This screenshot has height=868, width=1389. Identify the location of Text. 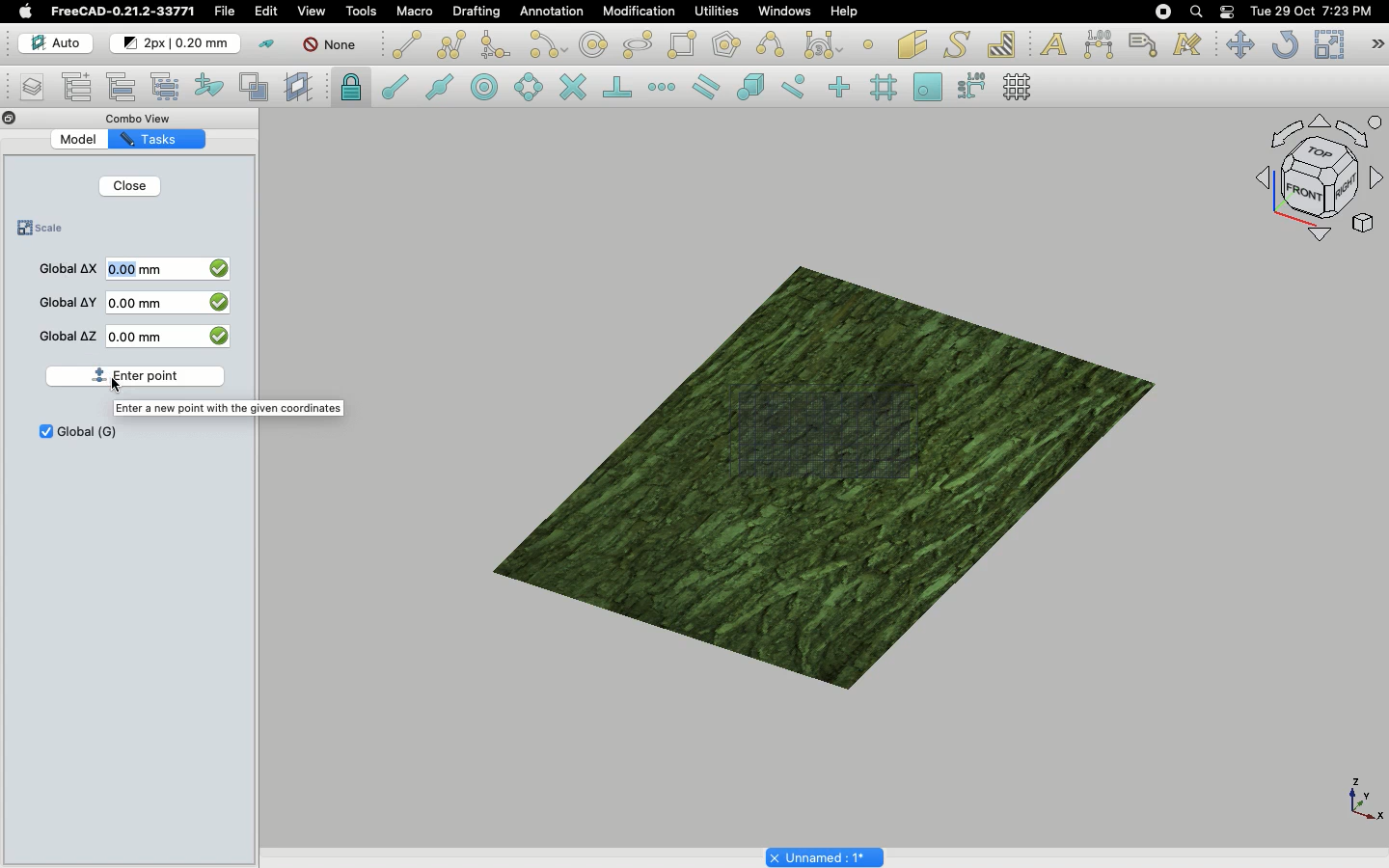
(1053, 42).